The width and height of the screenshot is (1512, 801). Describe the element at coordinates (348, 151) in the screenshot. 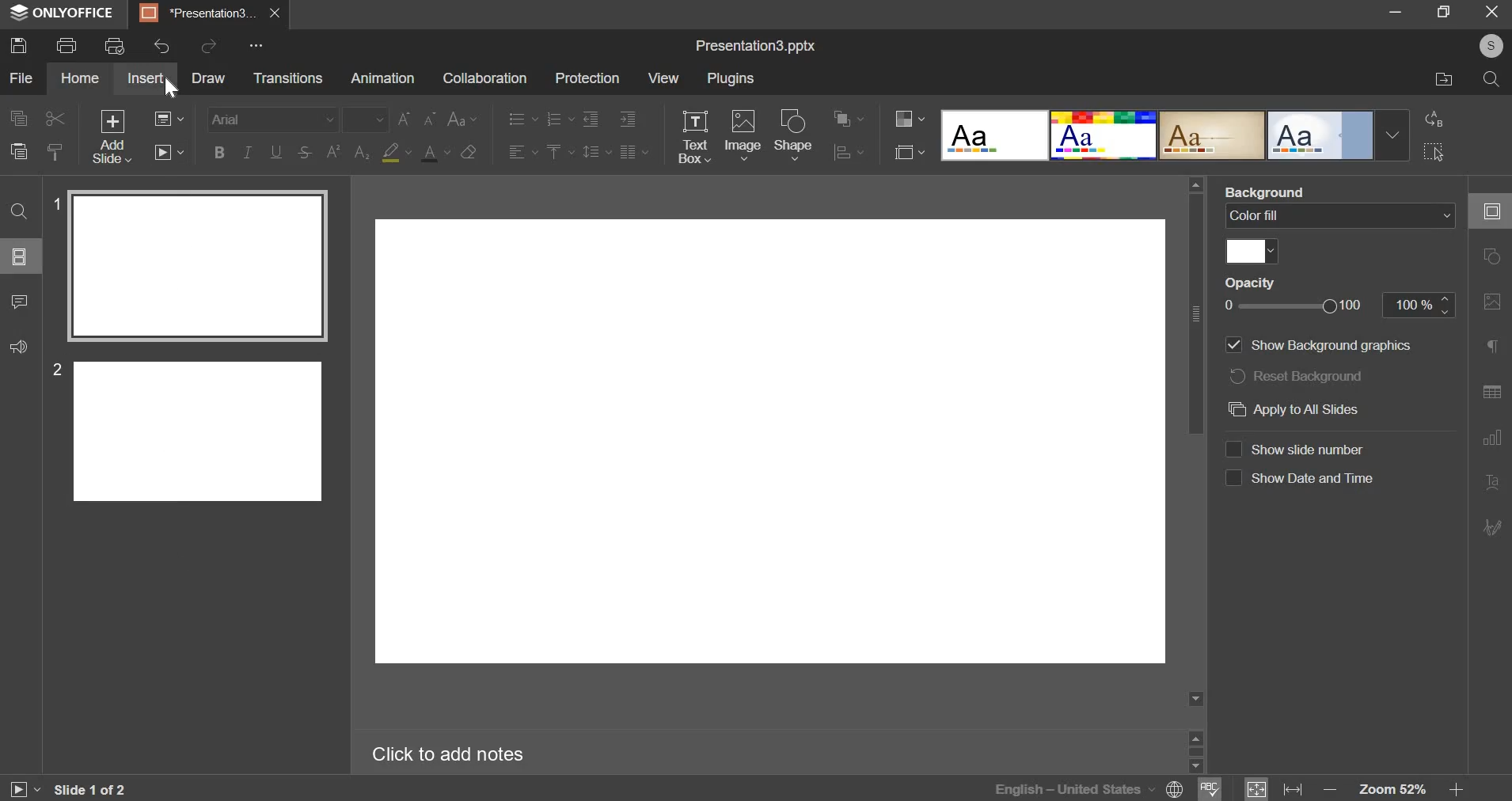

I see `supscript and superscript` at that location.